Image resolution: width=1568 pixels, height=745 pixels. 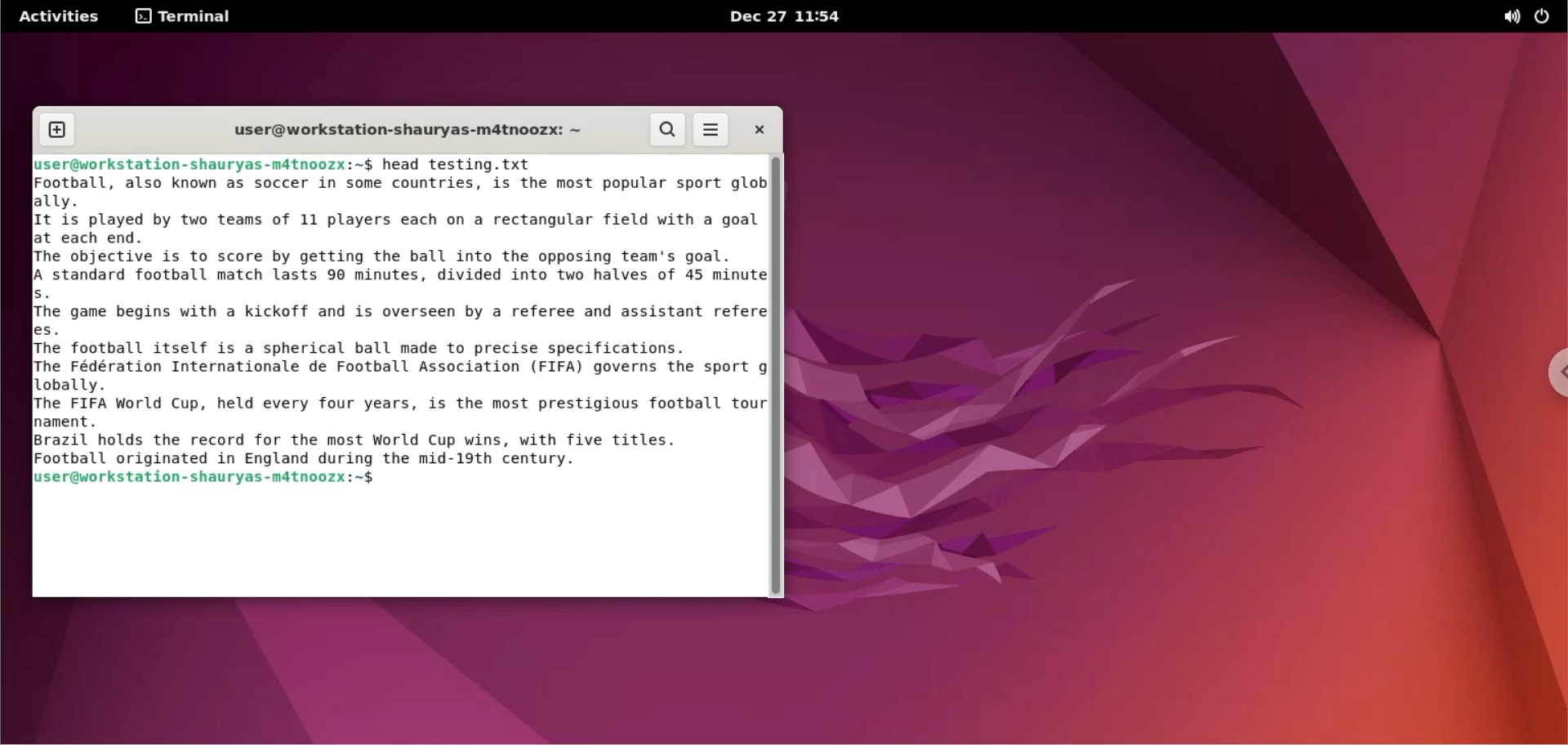 I want to click on shell prompt: user@workstation-shauryas-m4tnoozx:~$ , so click(x=200, y=165).